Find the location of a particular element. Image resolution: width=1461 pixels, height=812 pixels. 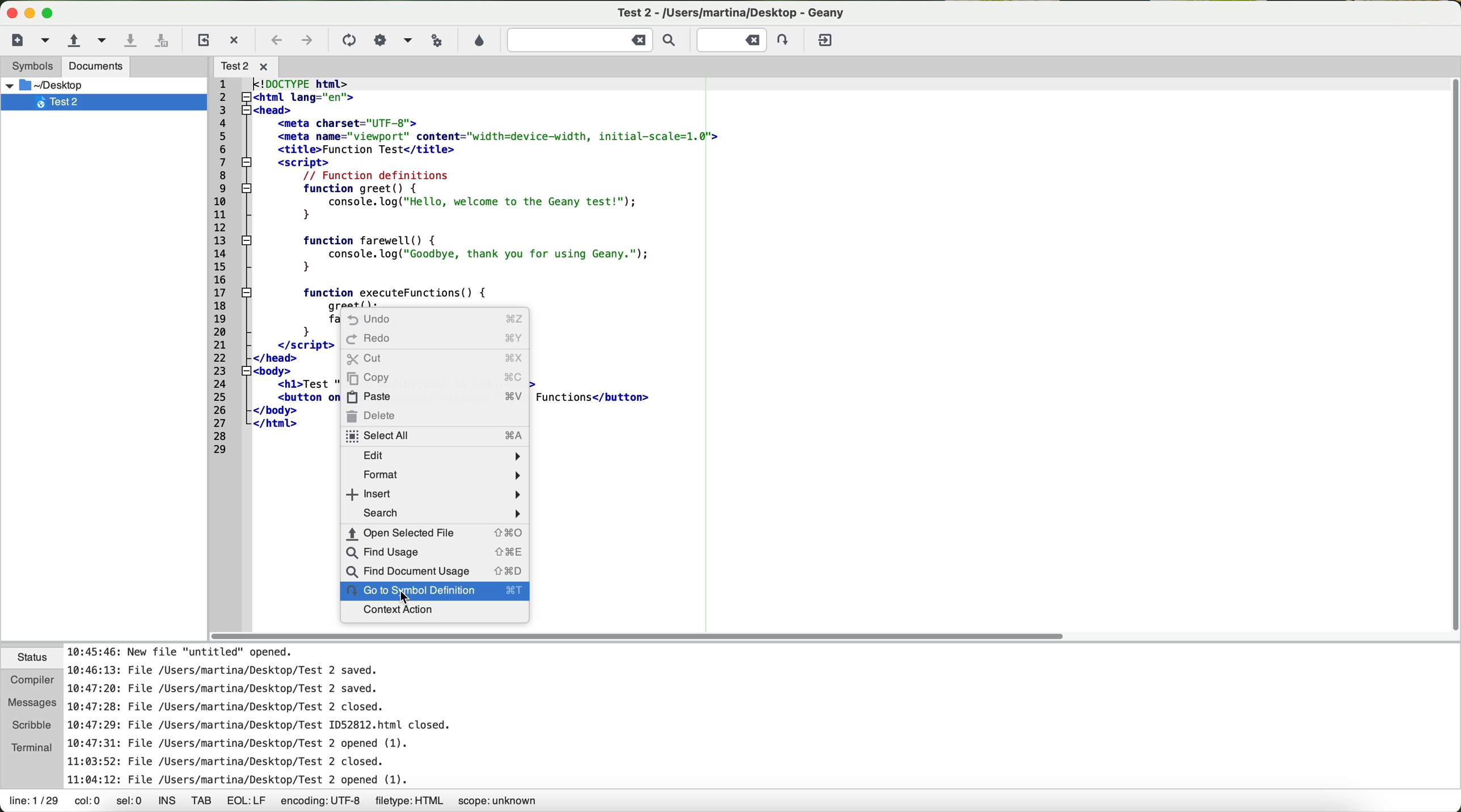

new file is located at coordinates (24, 40).